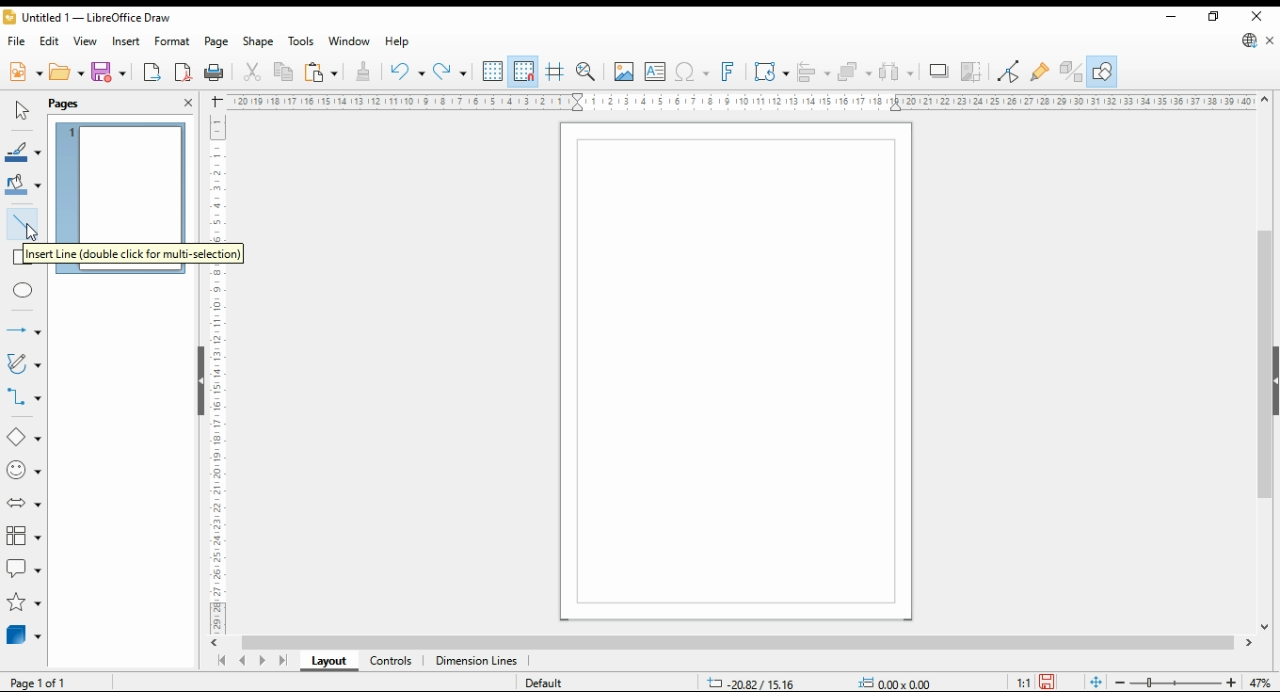 Image resolution: width=1280 pixels, height=692 pixels. Describe the element at coordinates (22, 603) in the screenshot. I see `stars and banners` at that location.